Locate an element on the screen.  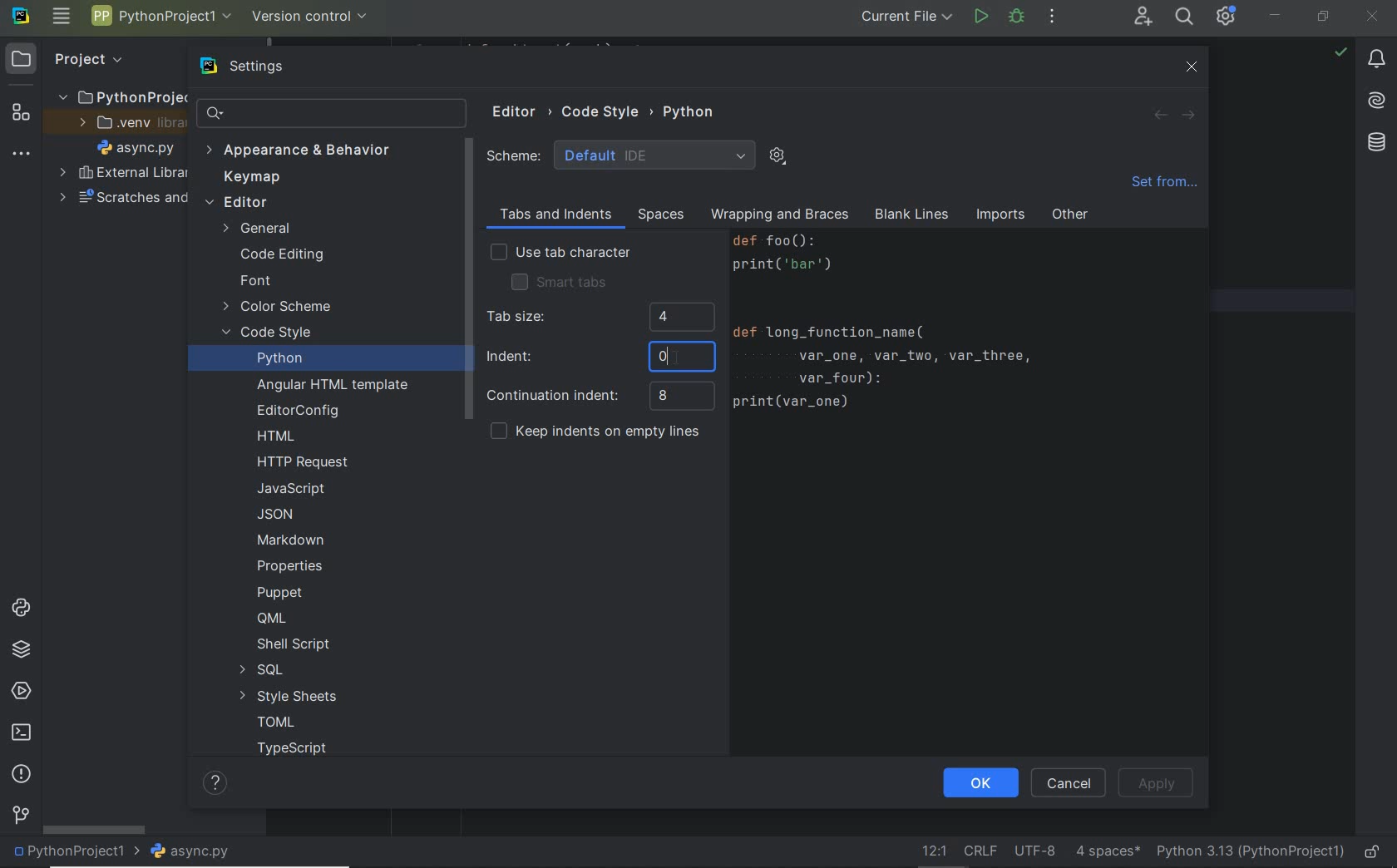
QML is located at coordinates (270, 618).